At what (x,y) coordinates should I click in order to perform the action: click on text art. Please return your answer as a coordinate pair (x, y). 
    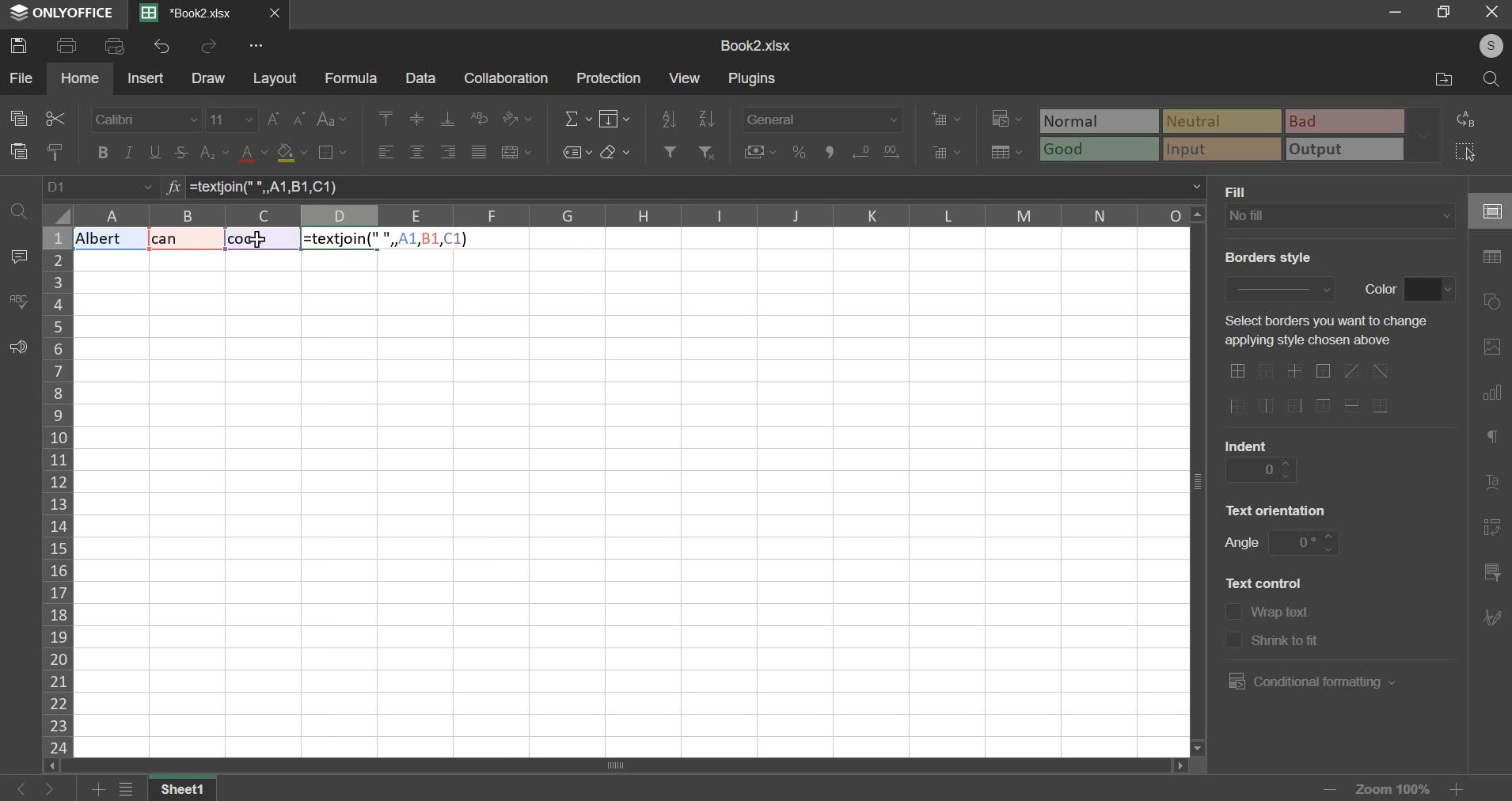
    Looking at the image, I should click on (1492, 487).